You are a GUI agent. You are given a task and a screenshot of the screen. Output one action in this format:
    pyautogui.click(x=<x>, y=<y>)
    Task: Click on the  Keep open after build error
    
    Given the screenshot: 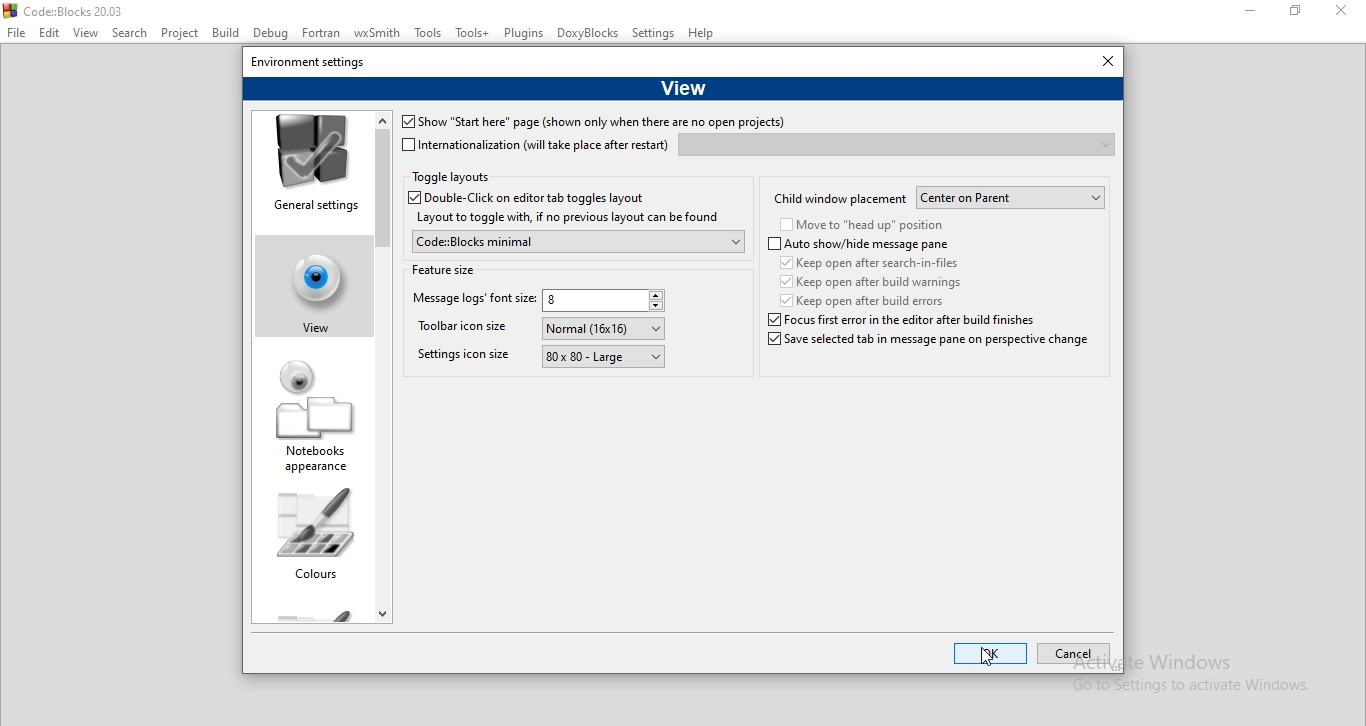 What is the action you would take?
    pyautogui.click(x=864, y=300)
    